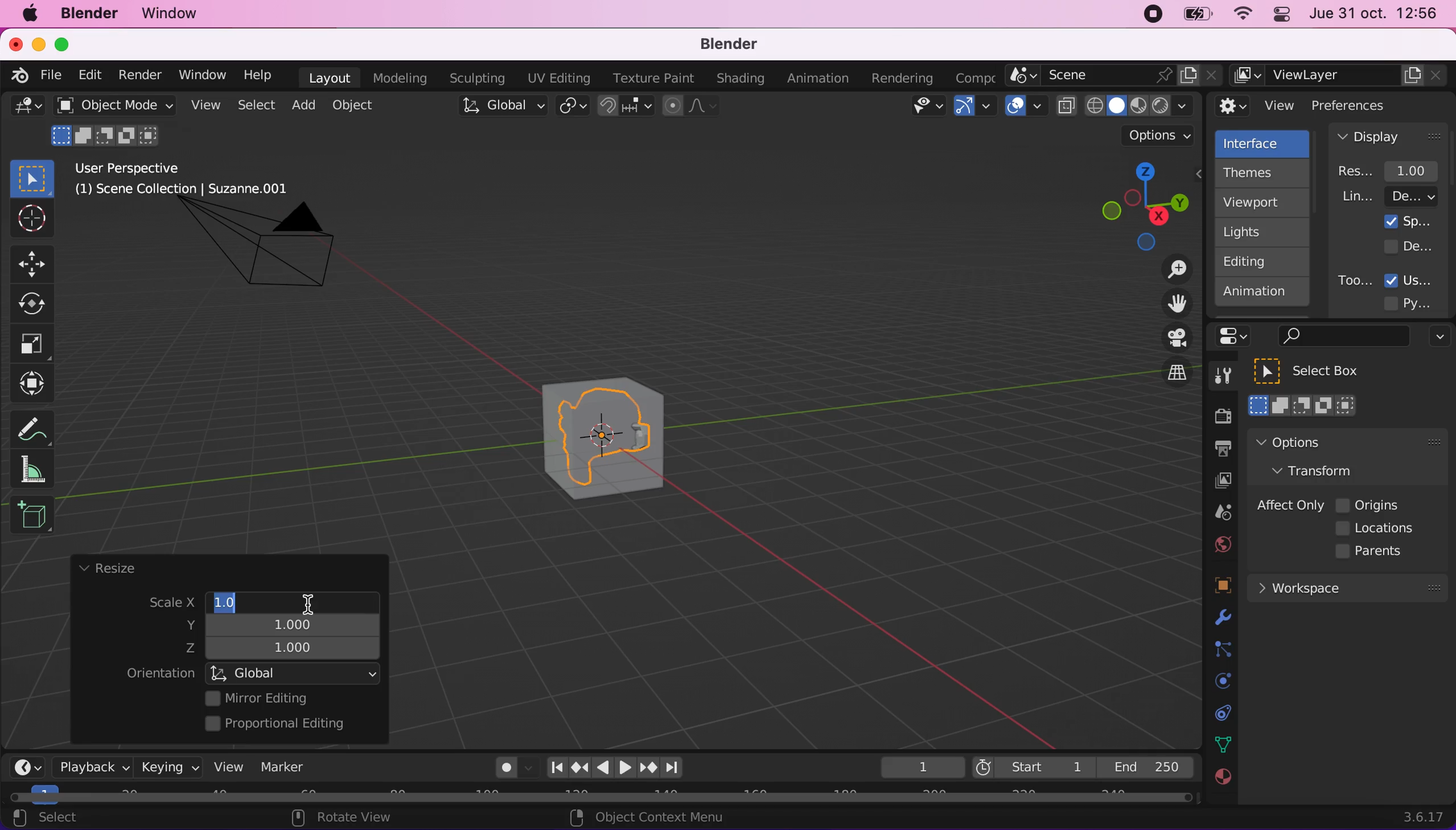 Image resolution: width=1456 pixels, height=830 pixels. Describe the element at coordinates (1303, 405) in the screenshot. I see `select box mode` at that location.